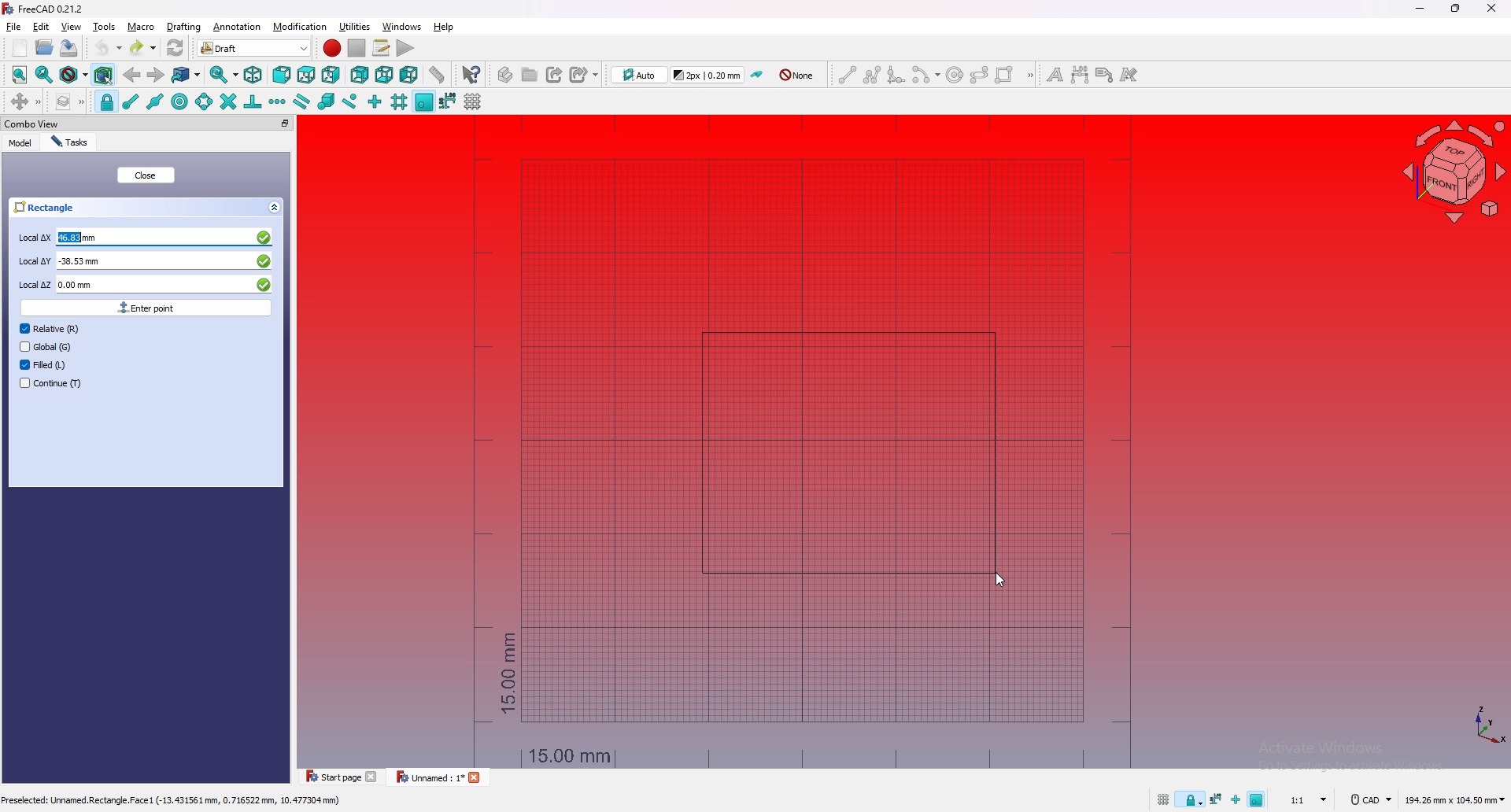  What do you see at coordinates (872, 75) in the screenshot?
I see `polyline` at bounding box center [872, 75].